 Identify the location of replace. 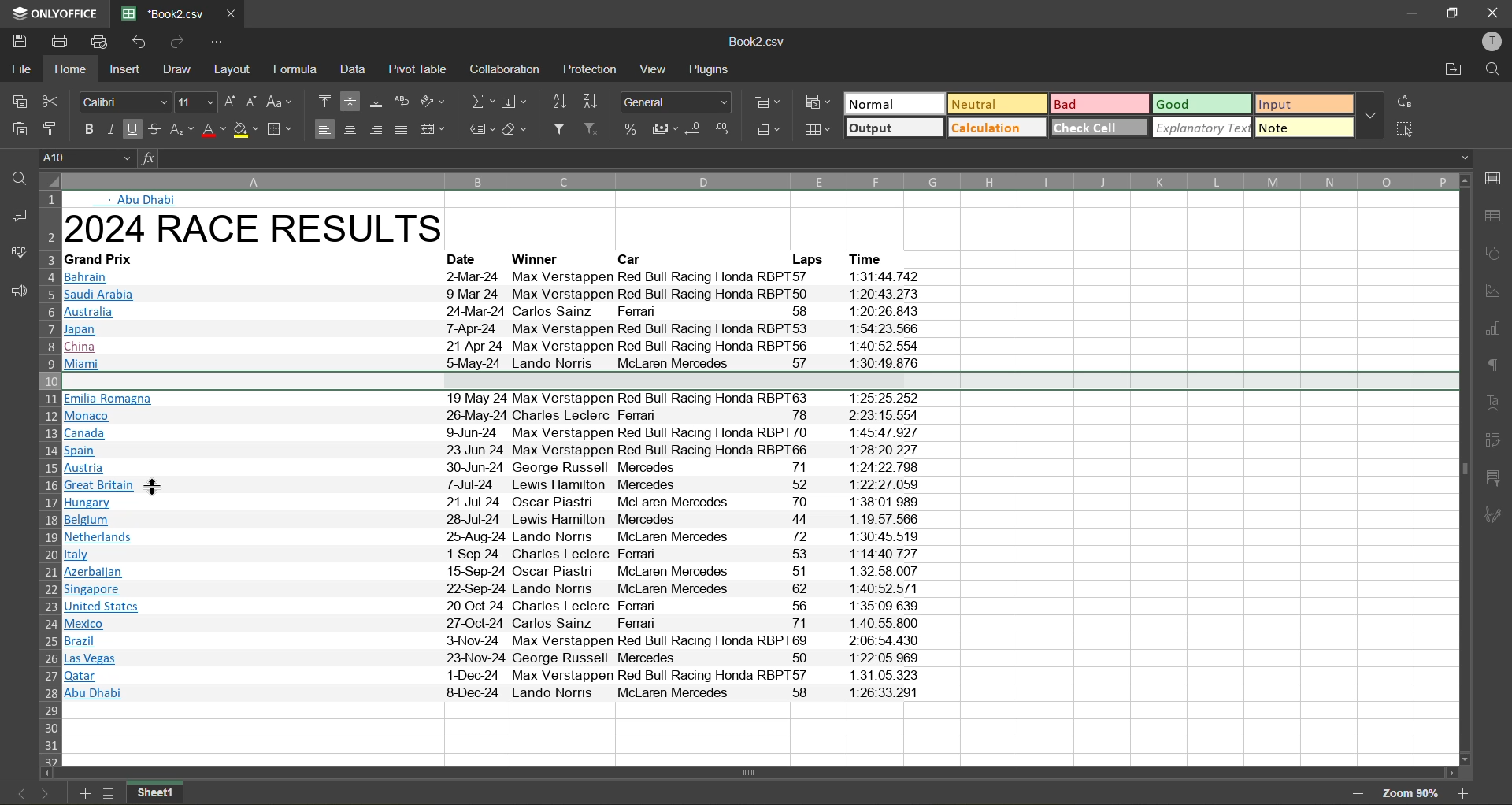
(1407, 101).